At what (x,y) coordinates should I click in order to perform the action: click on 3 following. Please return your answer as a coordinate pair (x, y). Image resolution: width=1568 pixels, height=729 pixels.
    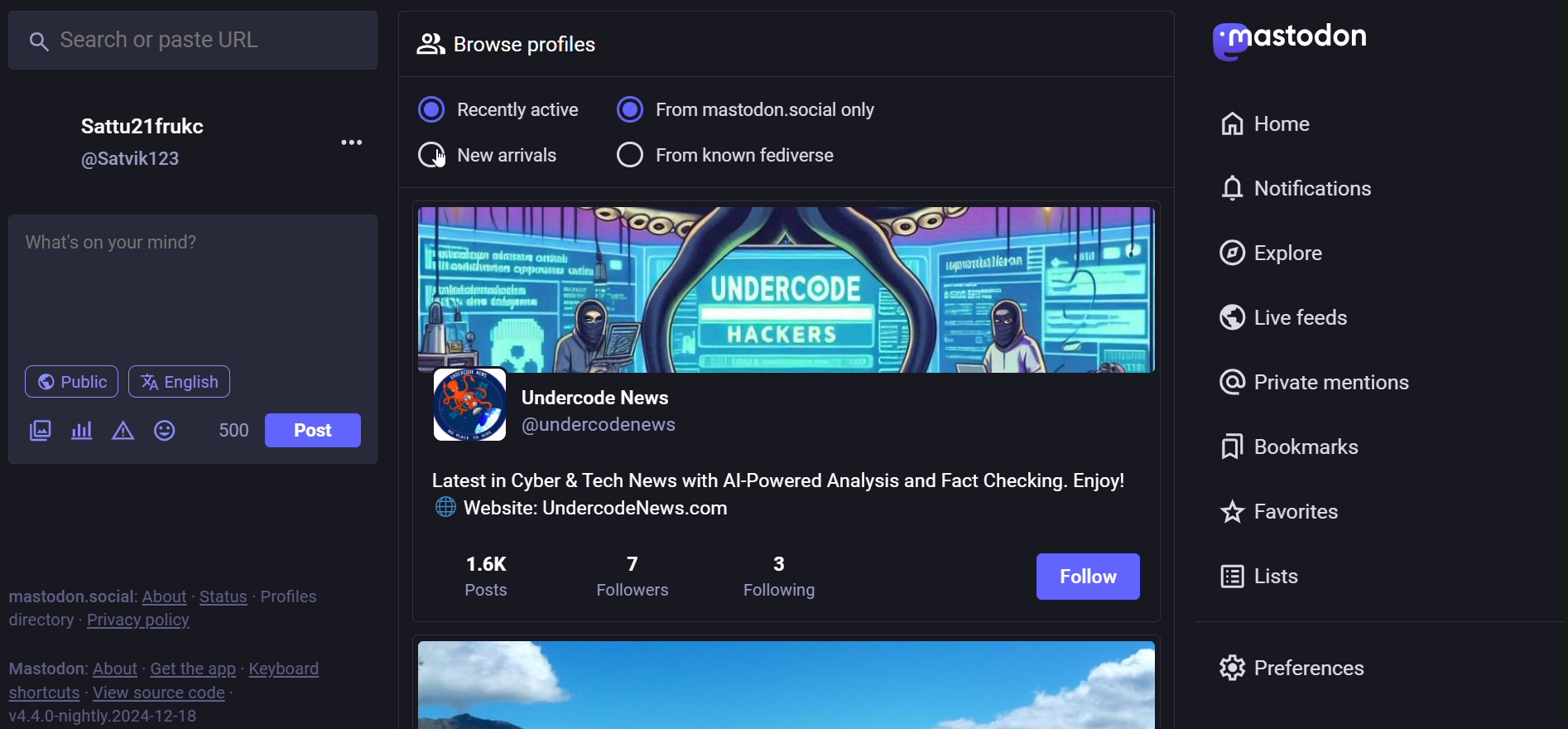
    Looking at the image, I should click on (773, 577).